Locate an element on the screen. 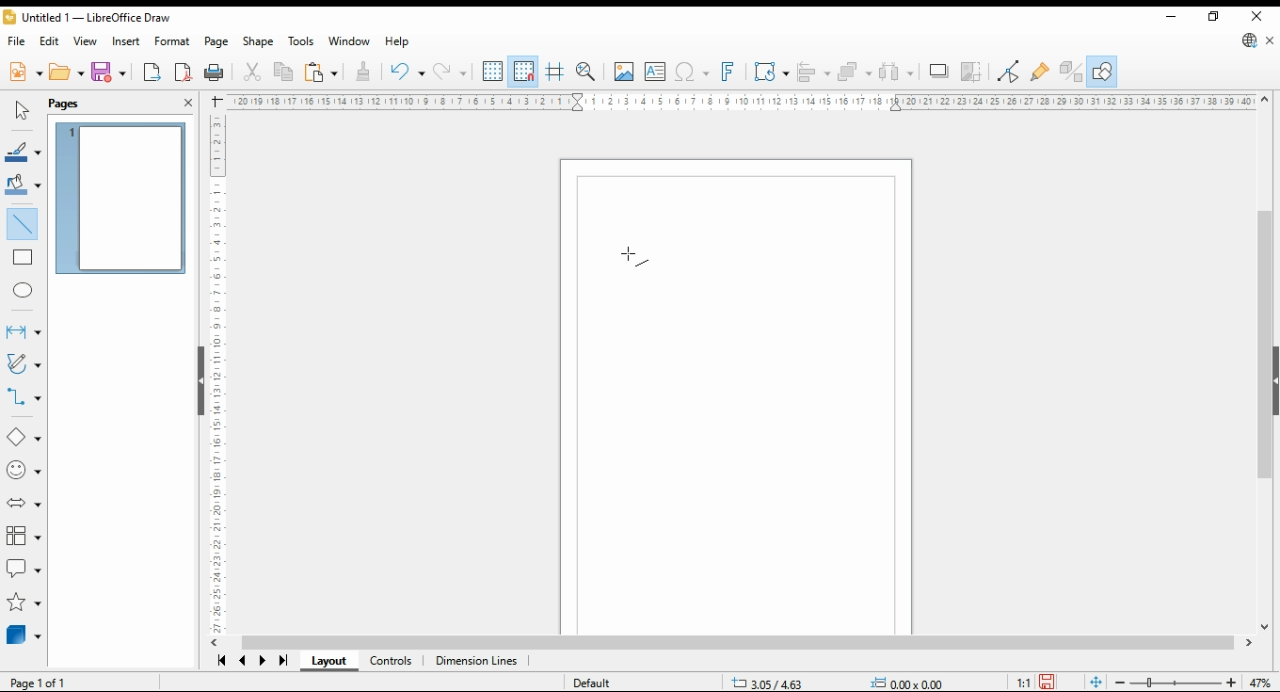 The height and width of the screenshot is (692, 1280). curves and polygons is located at coordinates (22, 365).